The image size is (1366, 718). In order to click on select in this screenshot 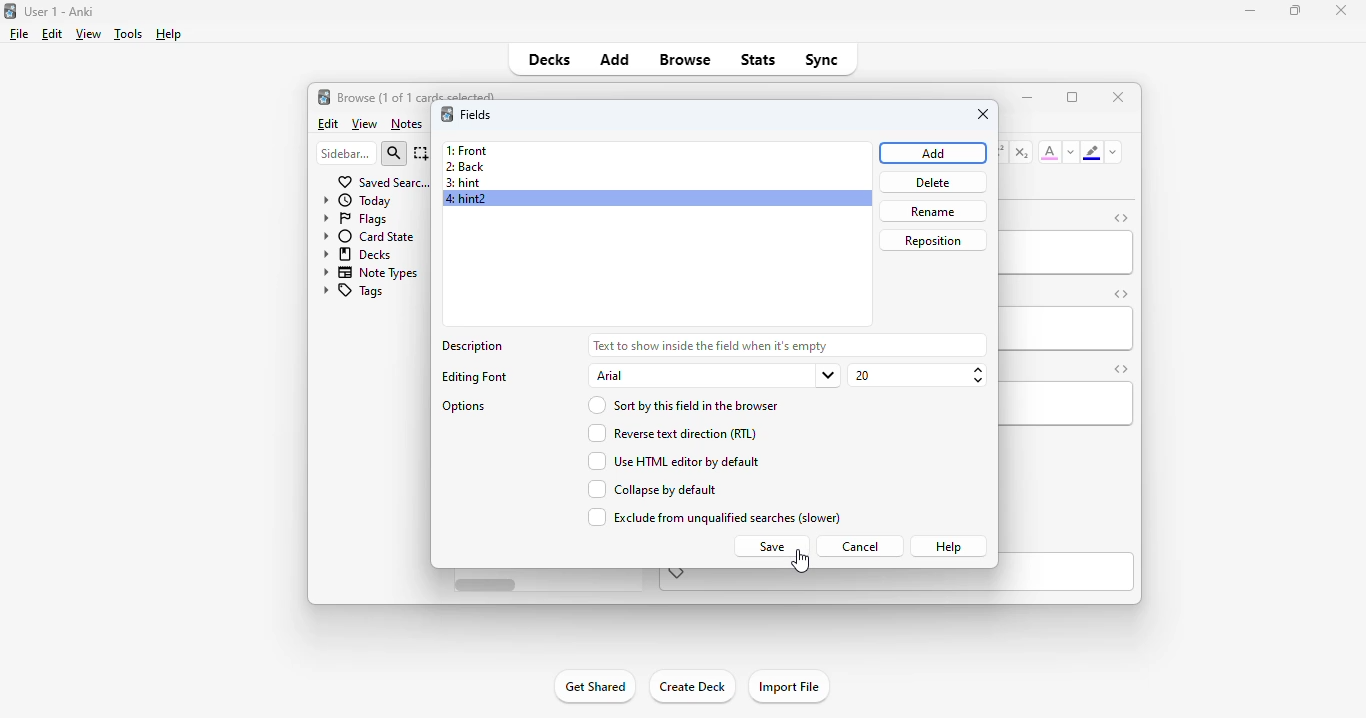, I will do `click(422, 153)`.